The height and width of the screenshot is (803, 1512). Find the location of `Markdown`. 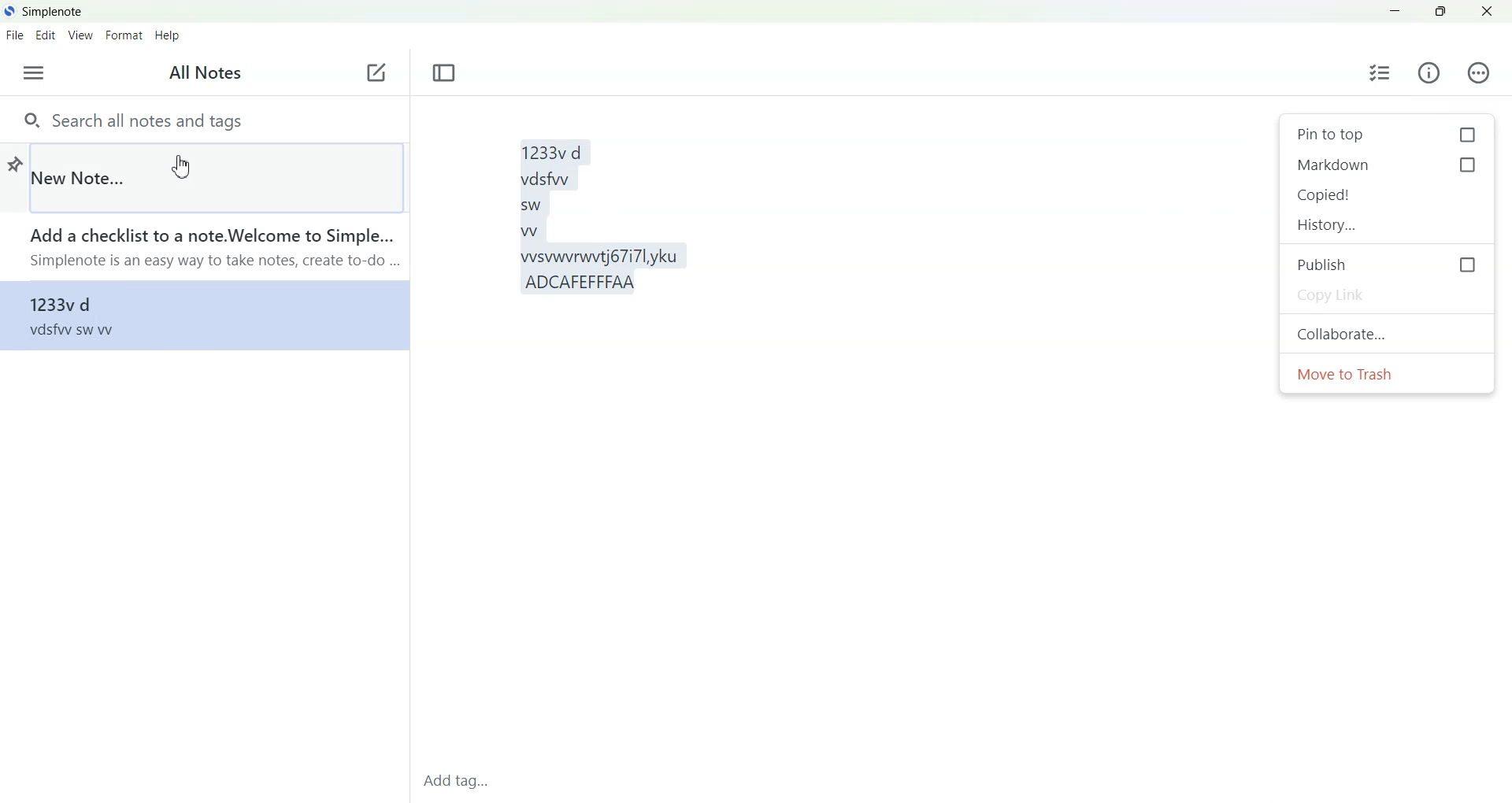

Markdown is located at coordinates (1388, 165).